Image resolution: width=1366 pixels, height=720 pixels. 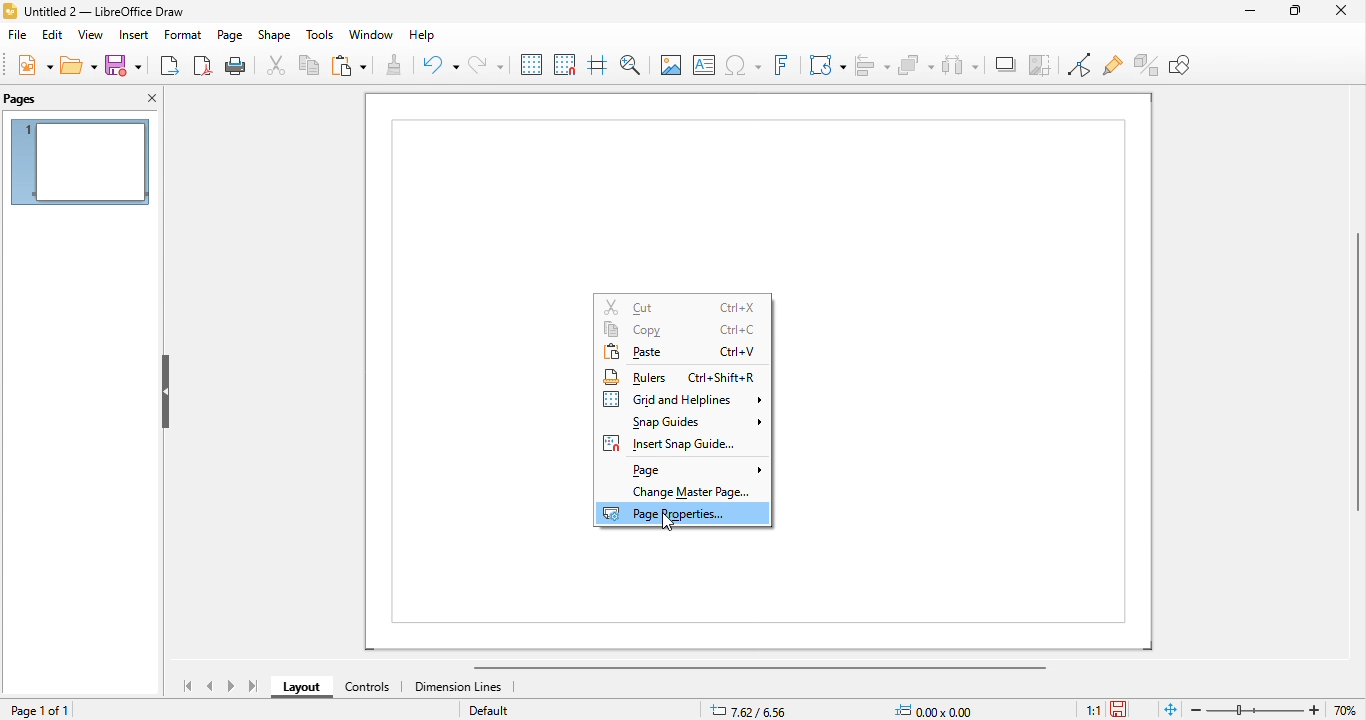 What do you see at coordinates (1147, 65) in the screenshot?
I see `toggle extrusions` at bounding box center [1147, 65].